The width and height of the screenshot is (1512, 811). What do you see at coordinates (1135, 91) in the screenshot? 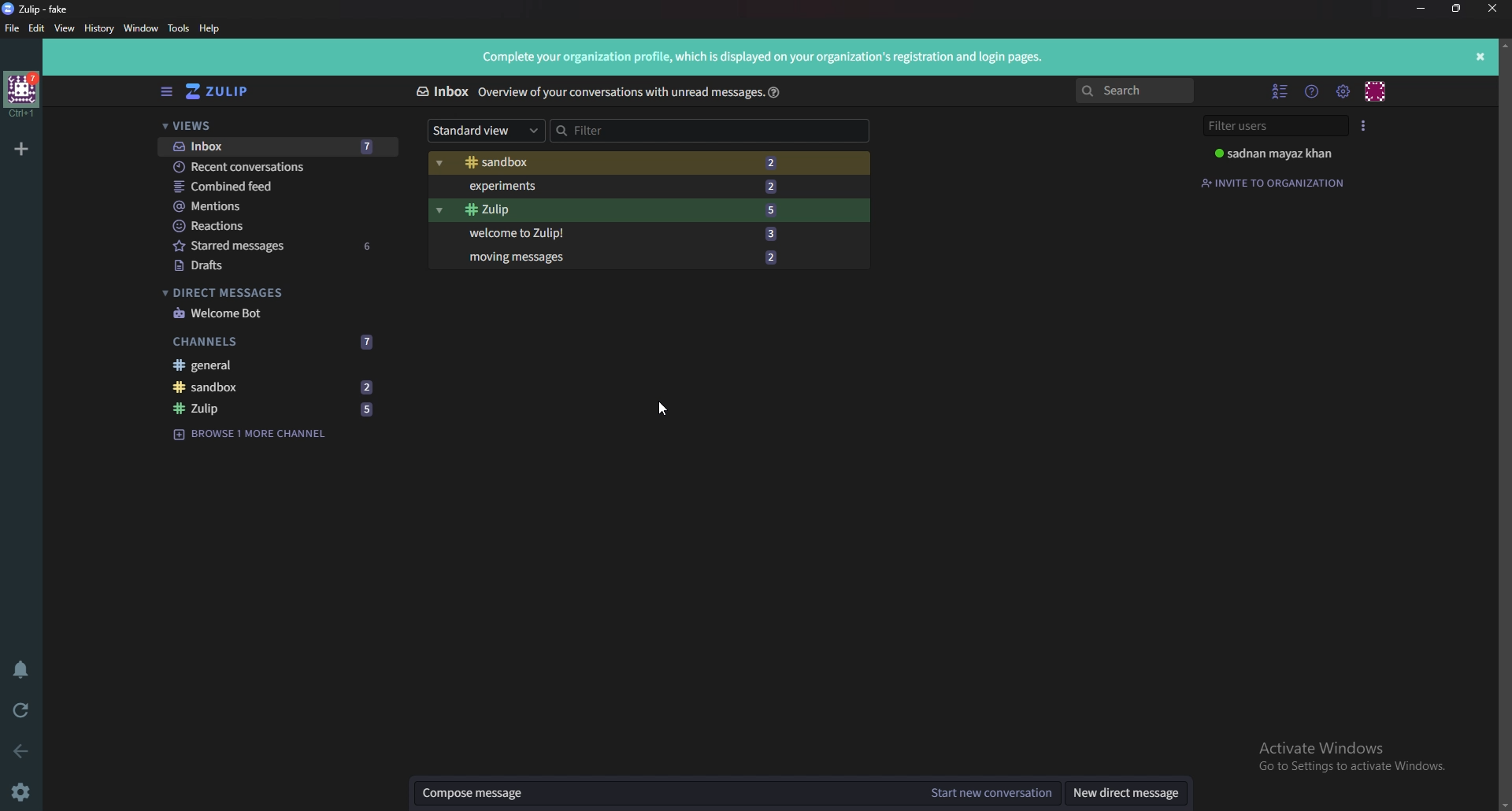
I see `Search` at bounding box center [1135, 91].